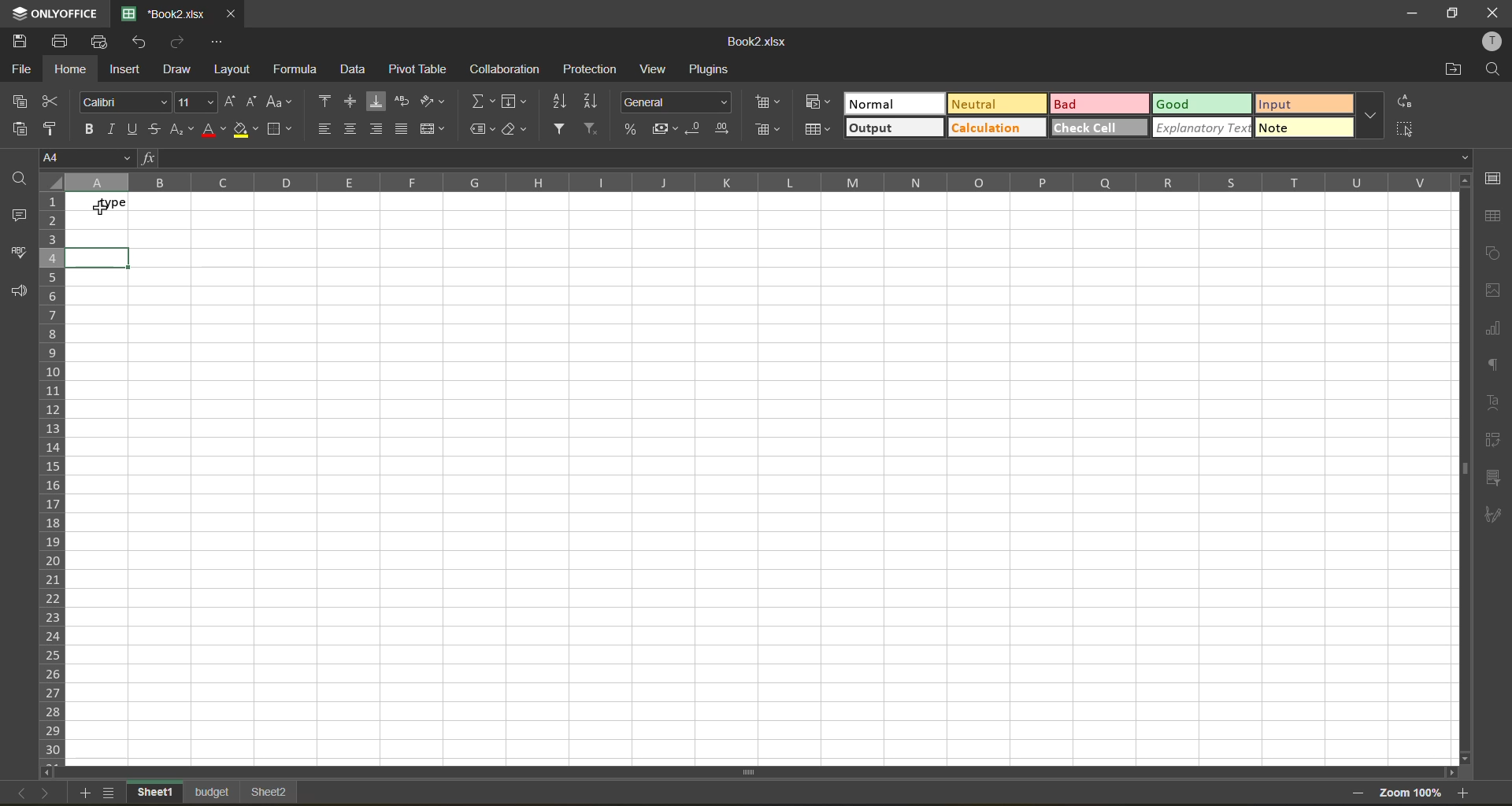  I want to click on replace, so click(1405, 106).